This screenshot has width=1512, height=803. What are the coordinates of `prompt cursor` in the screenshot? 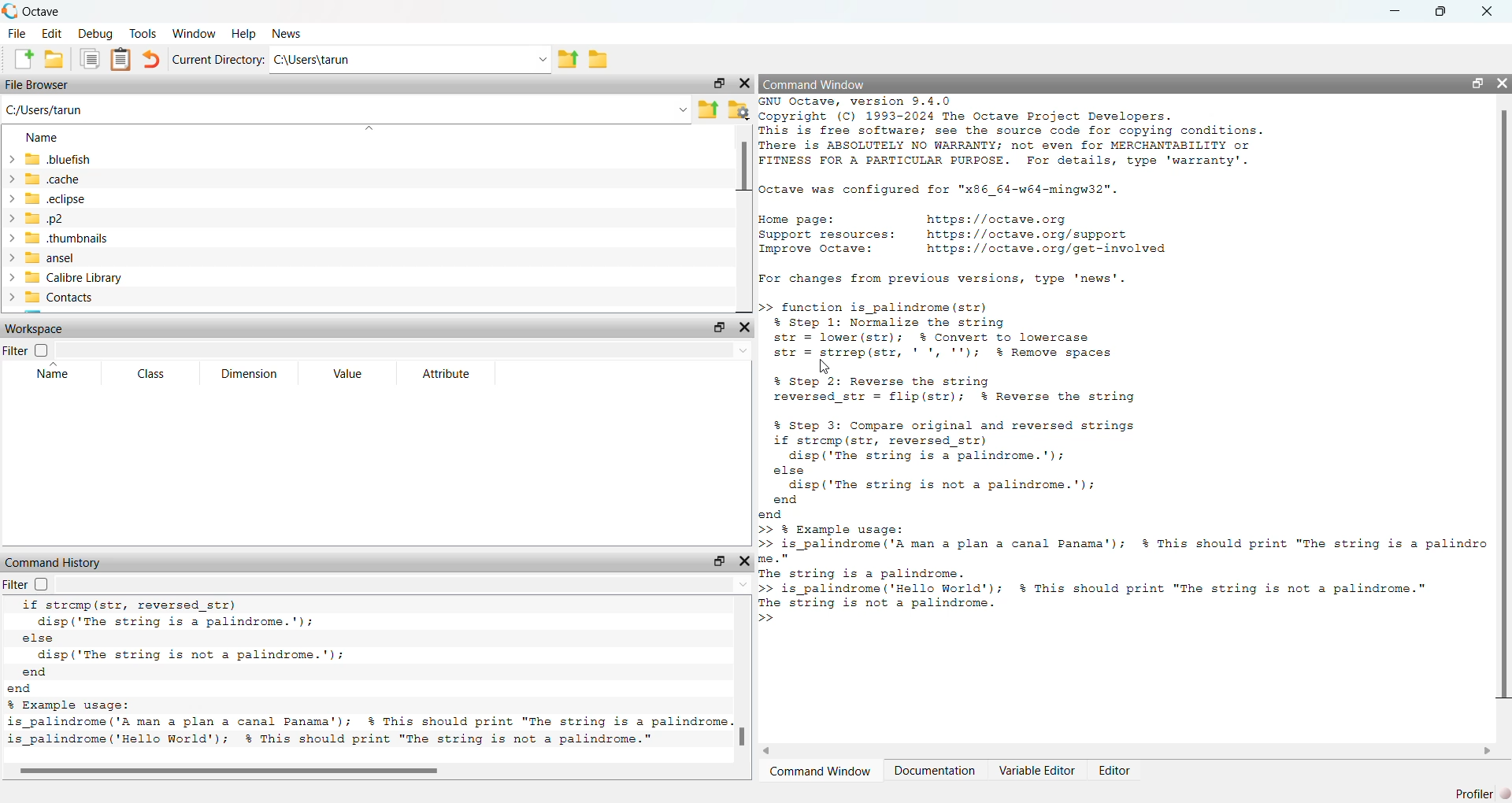 It's located at (763, 308).